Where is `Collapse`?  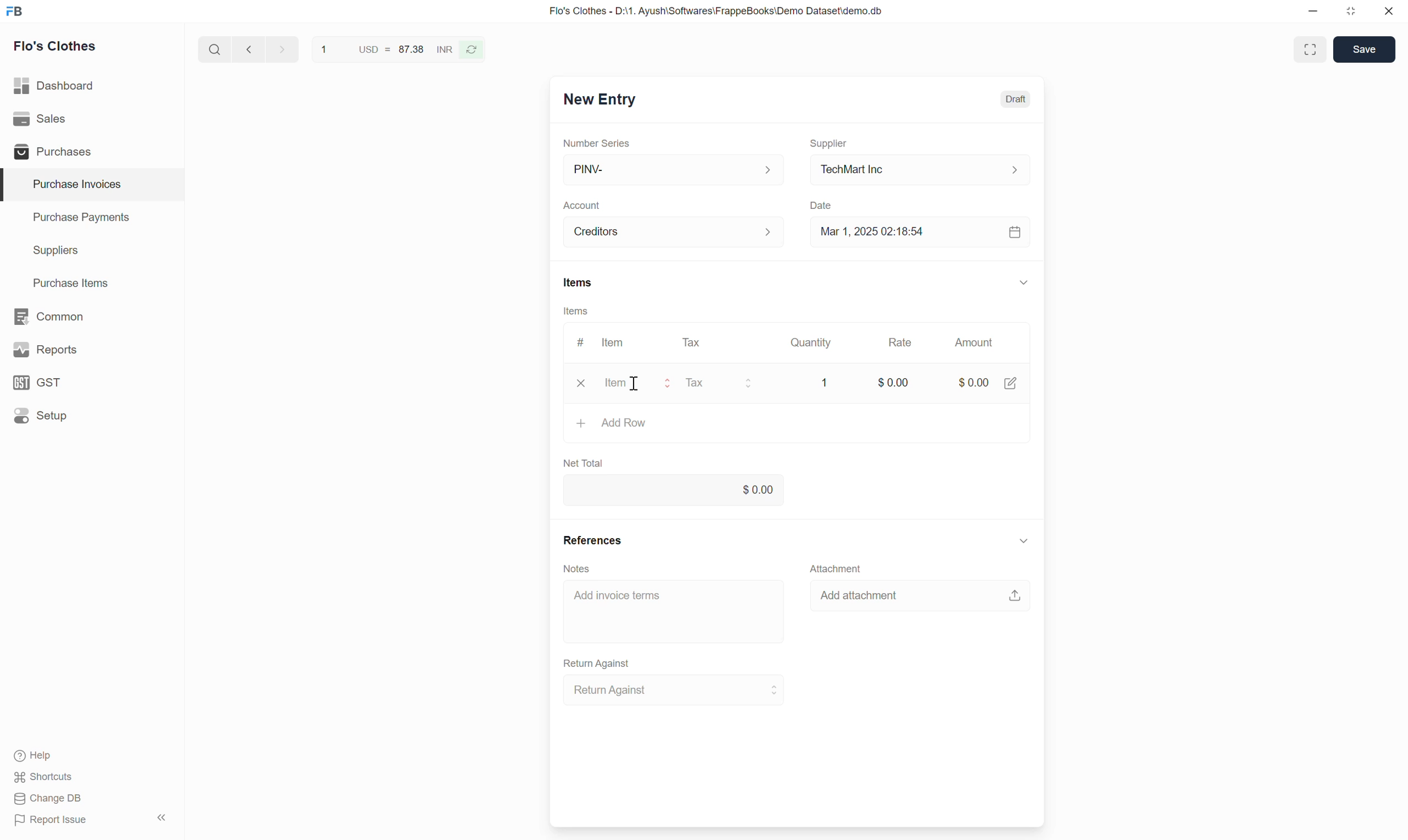
Collapse is located at coordinates (1024, 541).